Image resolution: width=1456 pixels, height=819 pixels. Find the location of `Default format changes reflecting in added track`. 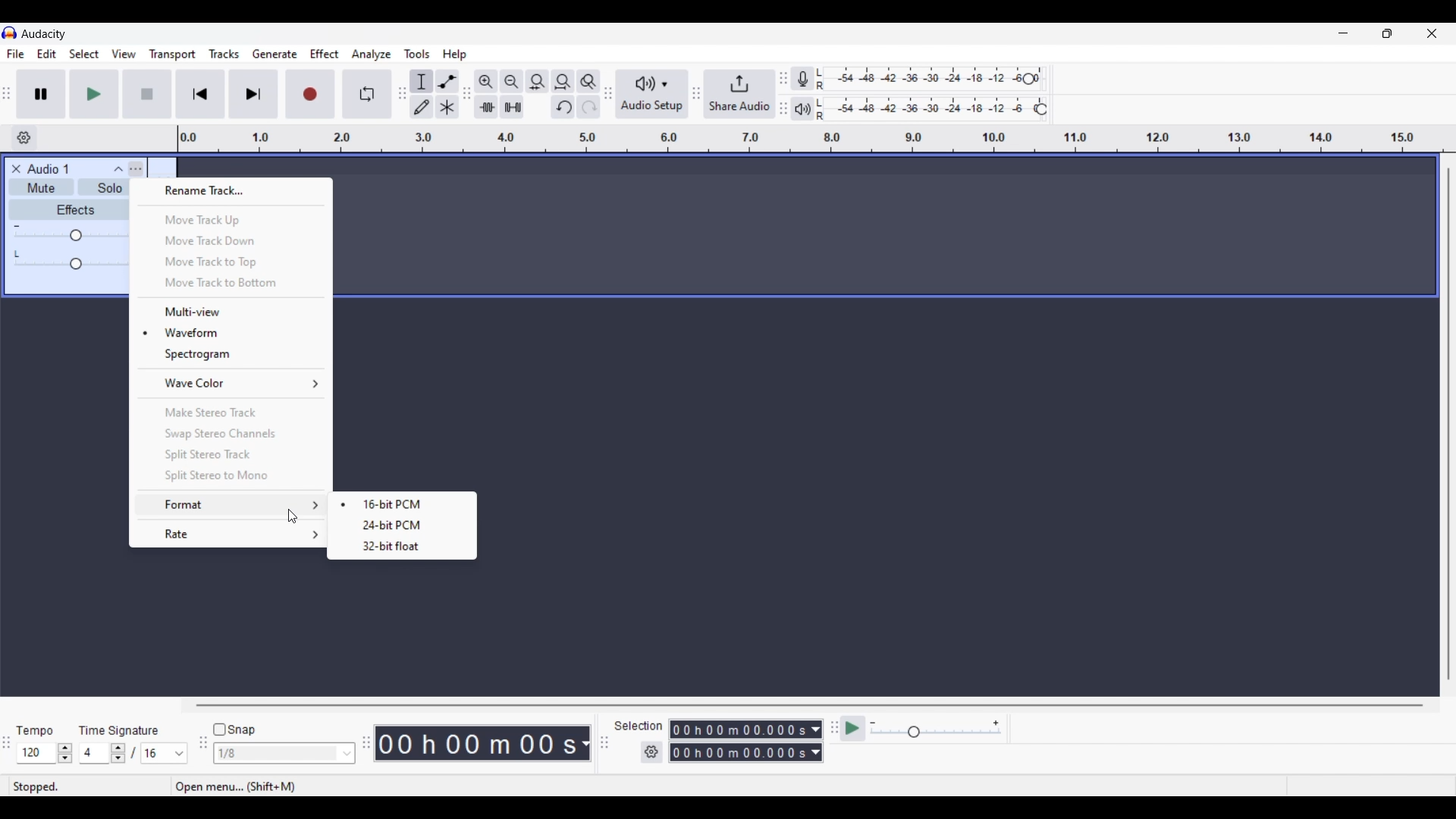

Default format changes reflecting in added track is located at coordinates (406, 503).